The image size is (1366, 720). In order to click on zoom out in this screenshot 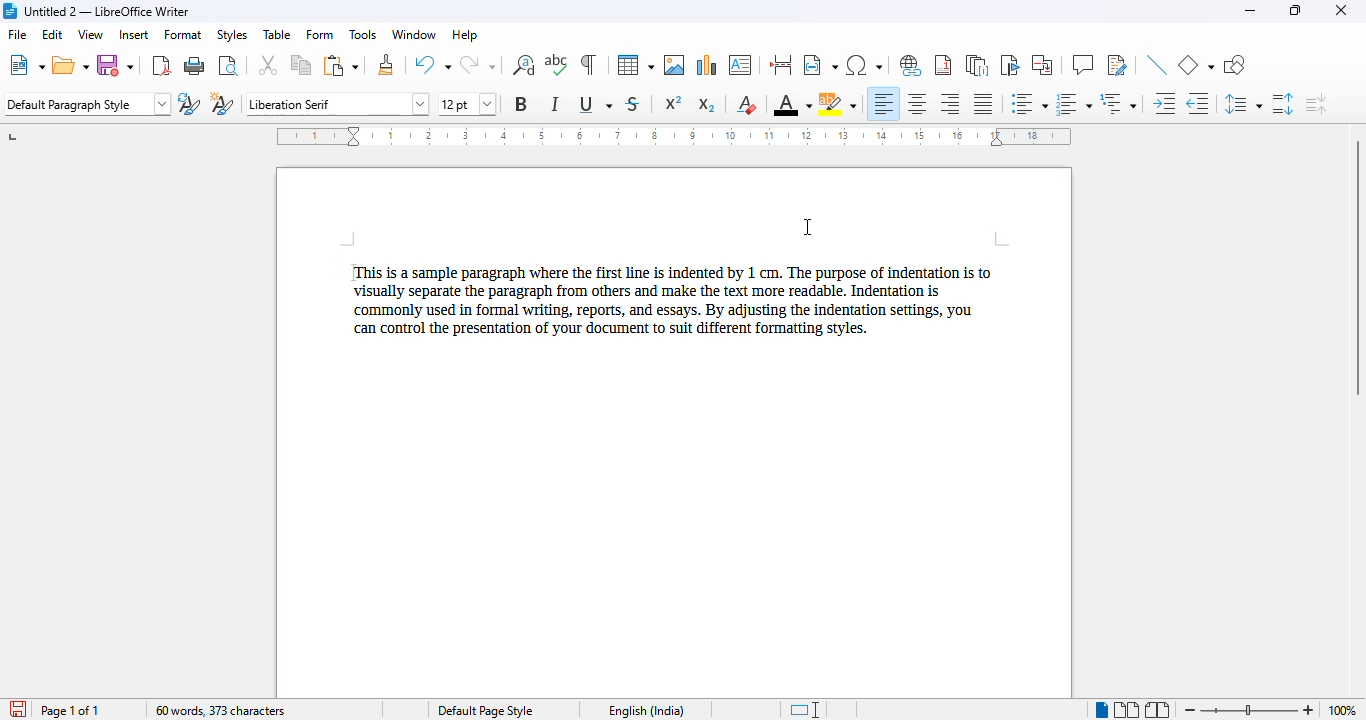, I will do `click(1192, 710)`.